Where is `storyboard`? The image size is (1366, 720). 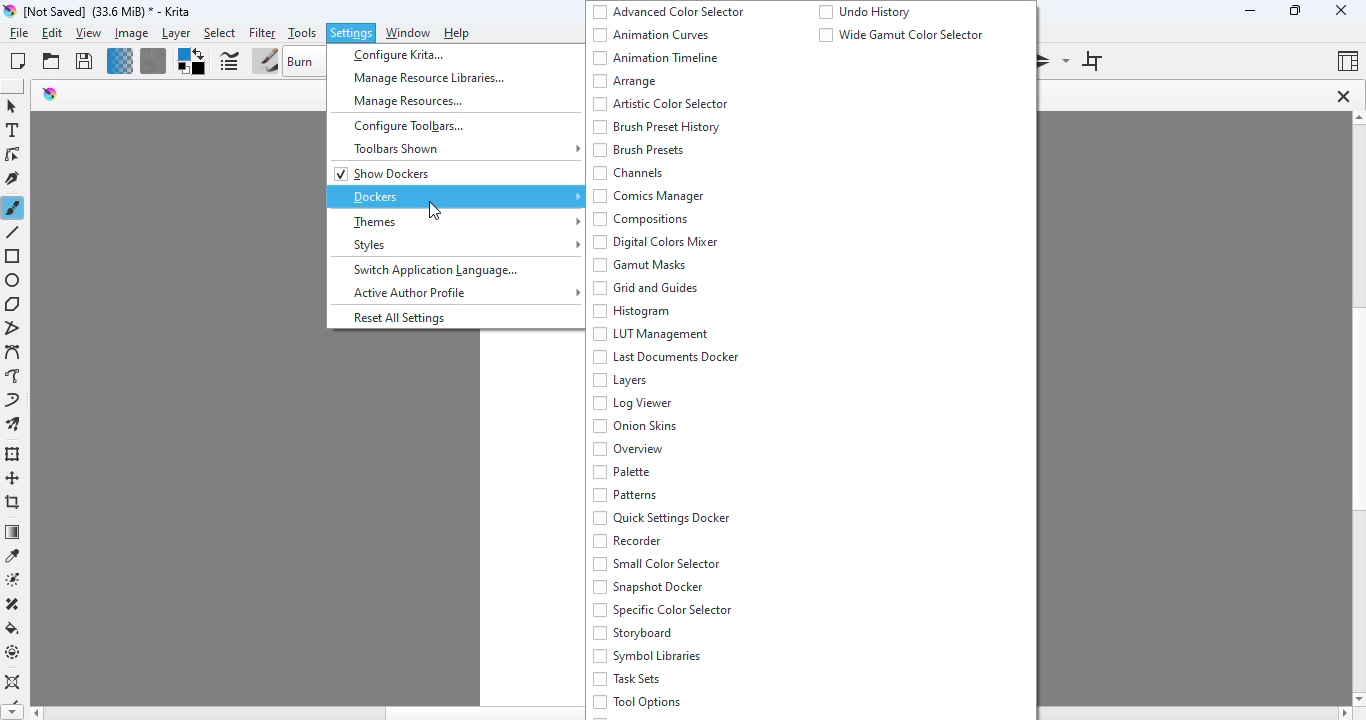 storyboard is located at coordinates (632, 633).